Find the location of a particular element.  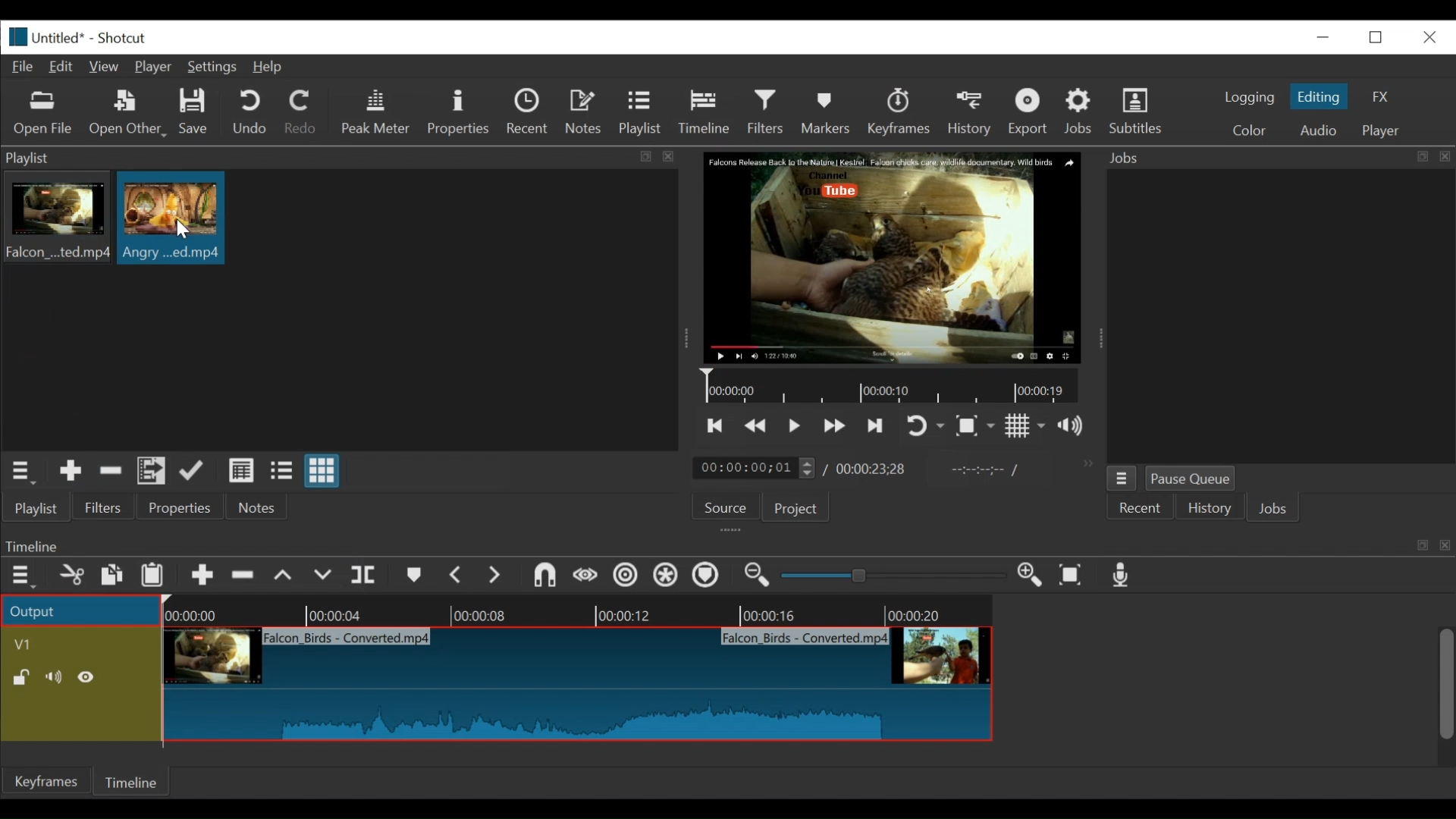

Zoom timeline in is located at coordinates (755, 577).